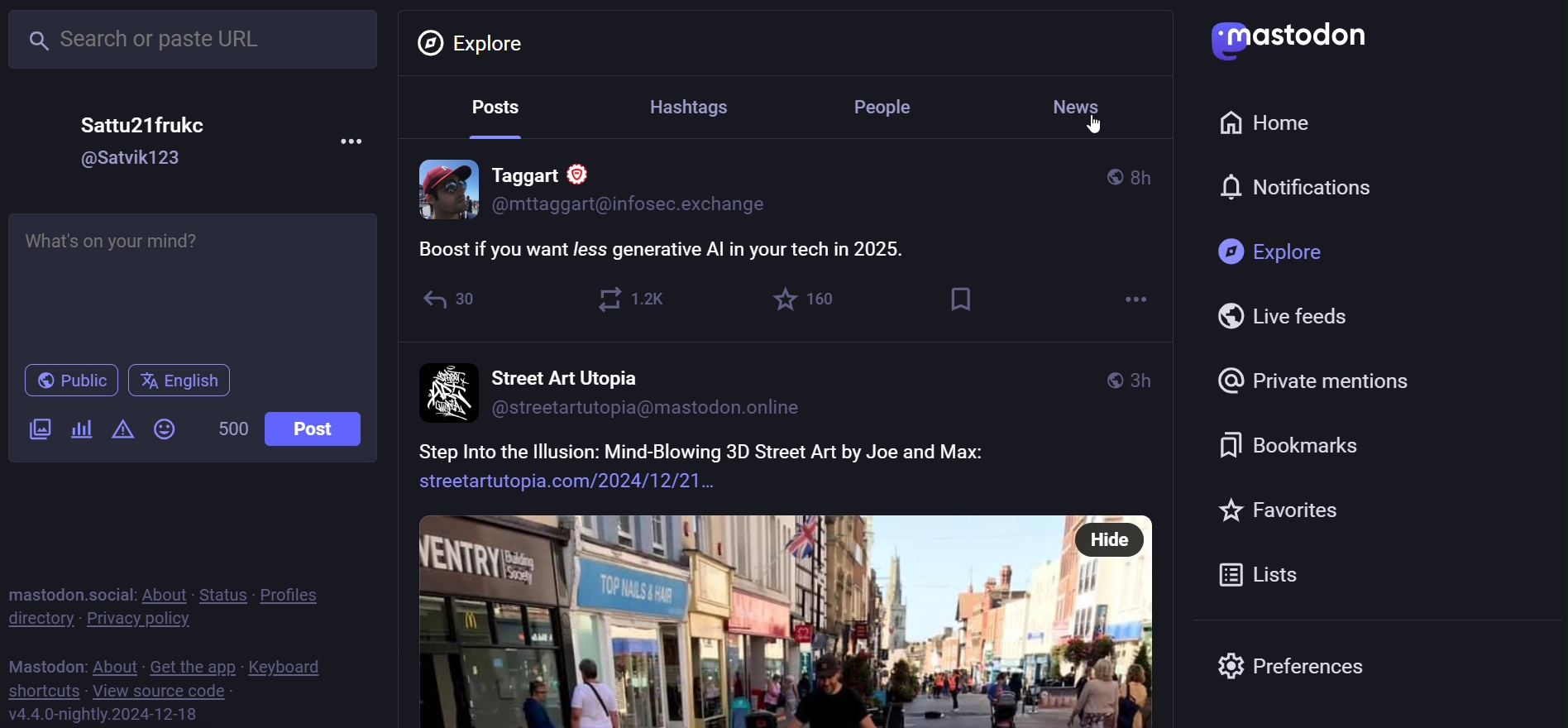 The image size is (1568, 728). Describe the element at coordinates (635, 203) in the screenshot. I see `@mttaggart@infosec.exchange` at that location.